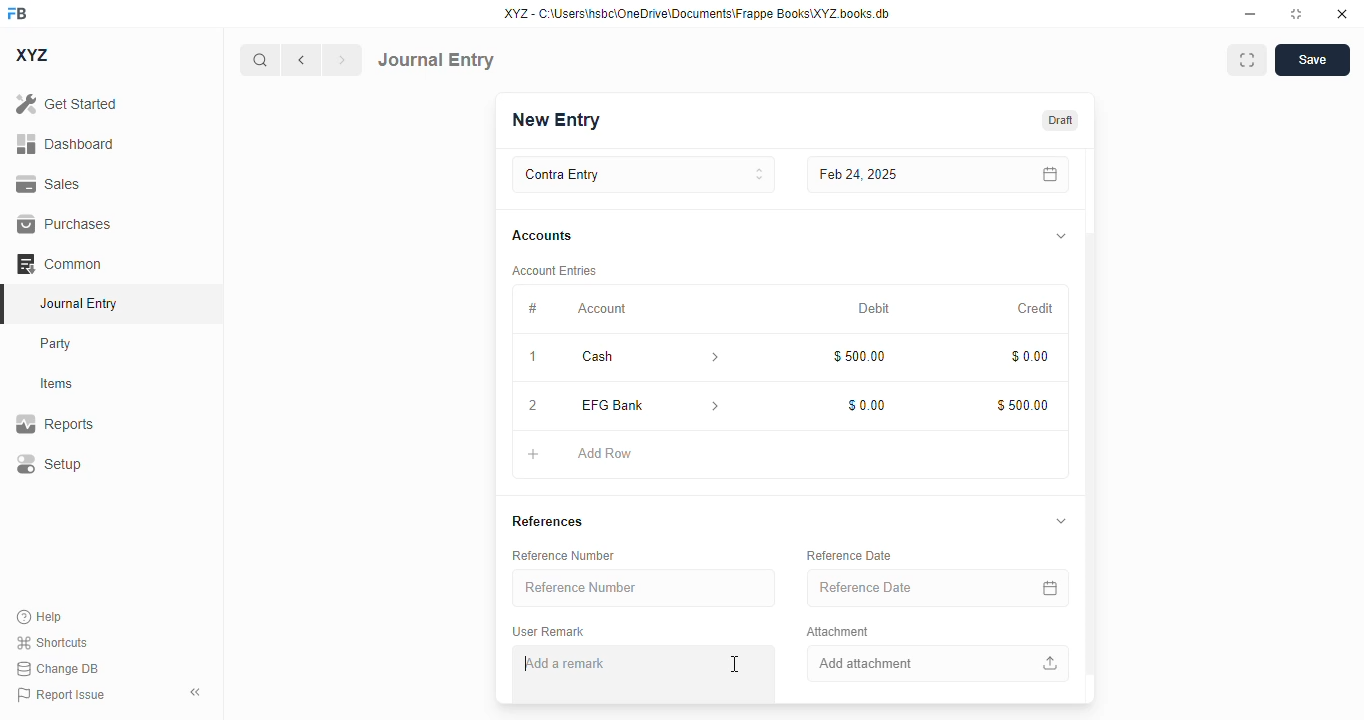 The image size is (1364, 720). I want to click on toggle expand/collapse, so click(1061, 237).